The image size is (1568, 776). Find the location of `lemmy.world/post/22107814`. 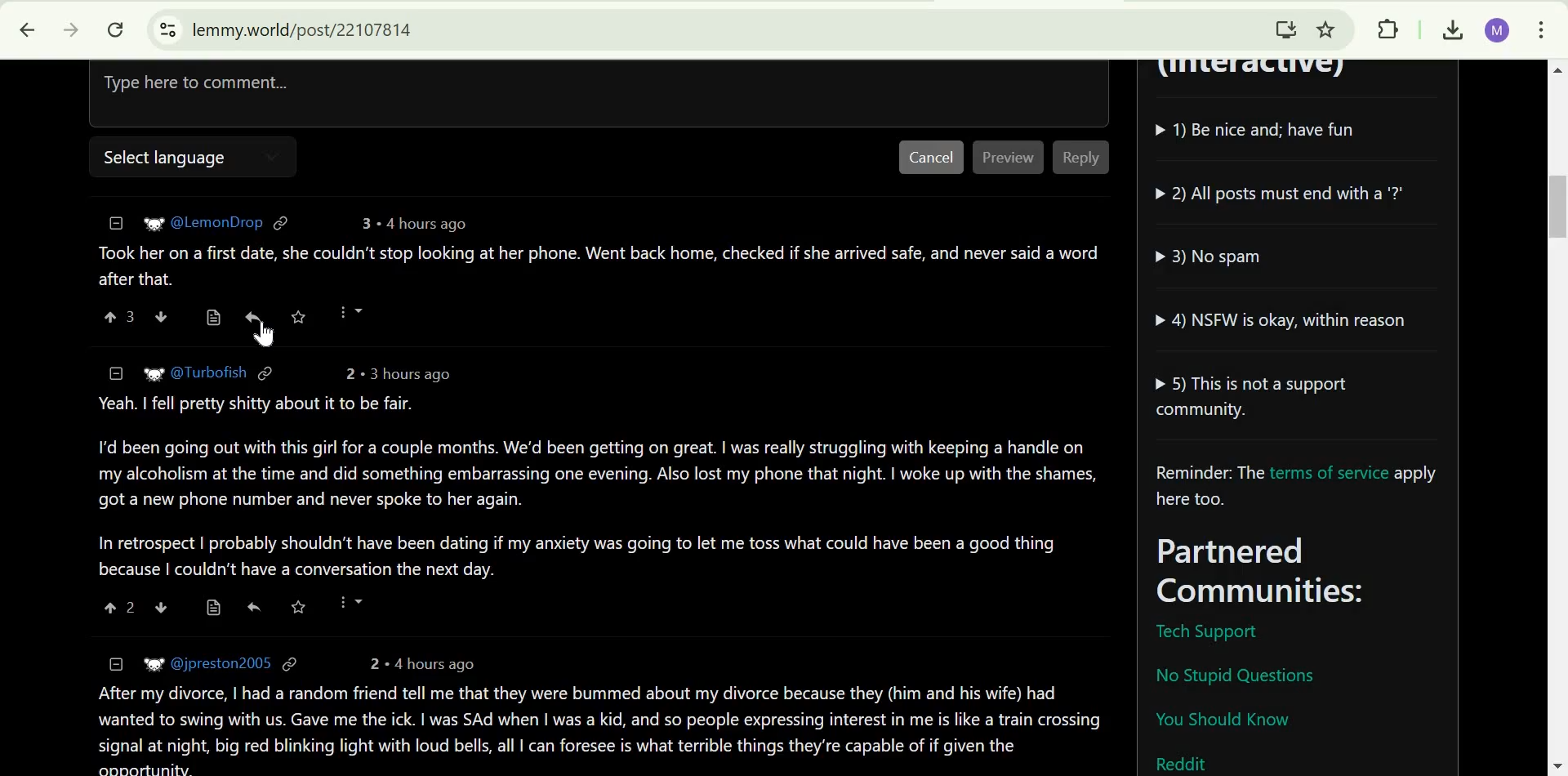

lemmy.world/post/22107814 is located at coordinates (302, 29).